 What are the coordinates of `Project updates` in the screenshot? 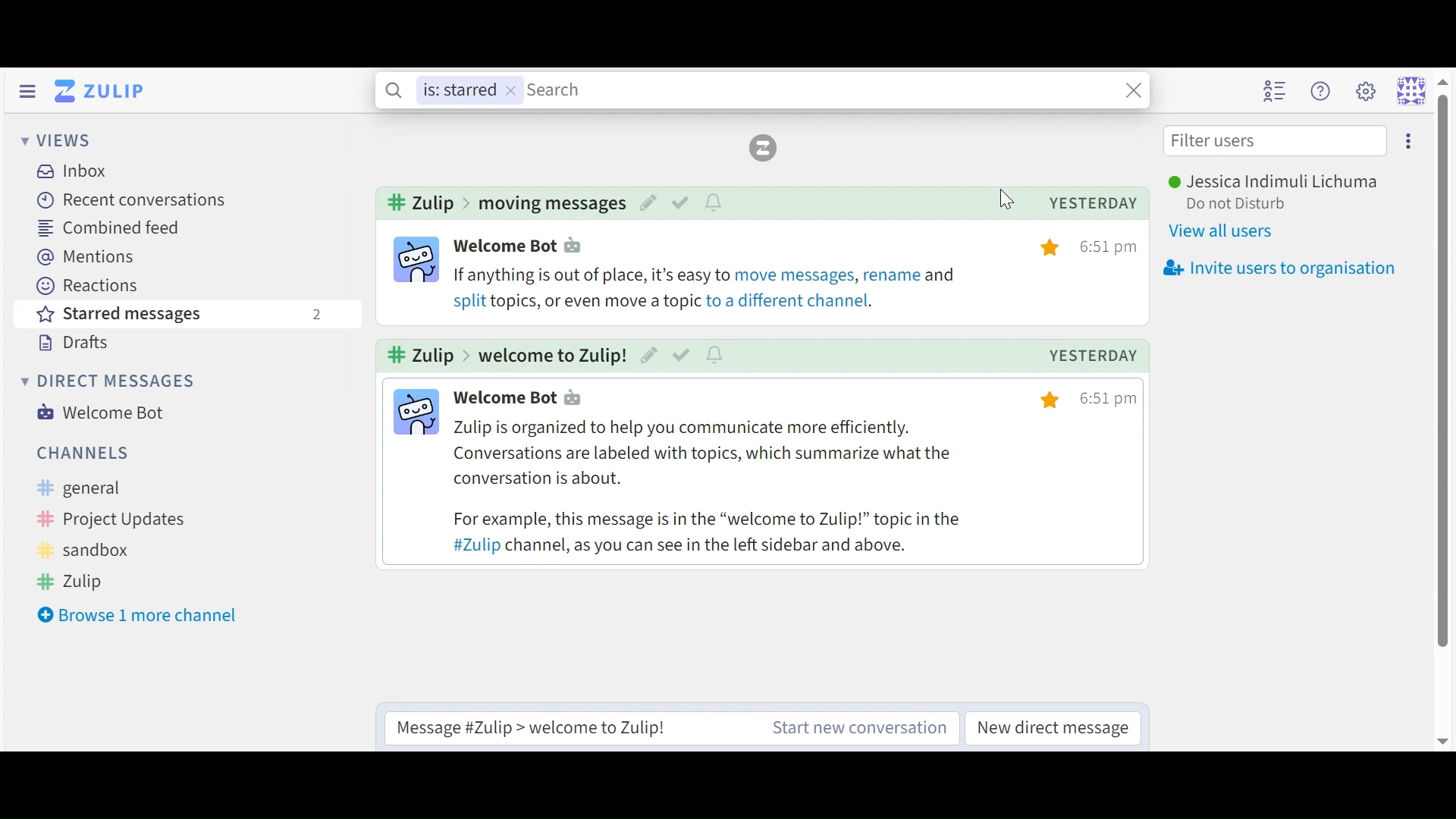 It's located at (106, 519).